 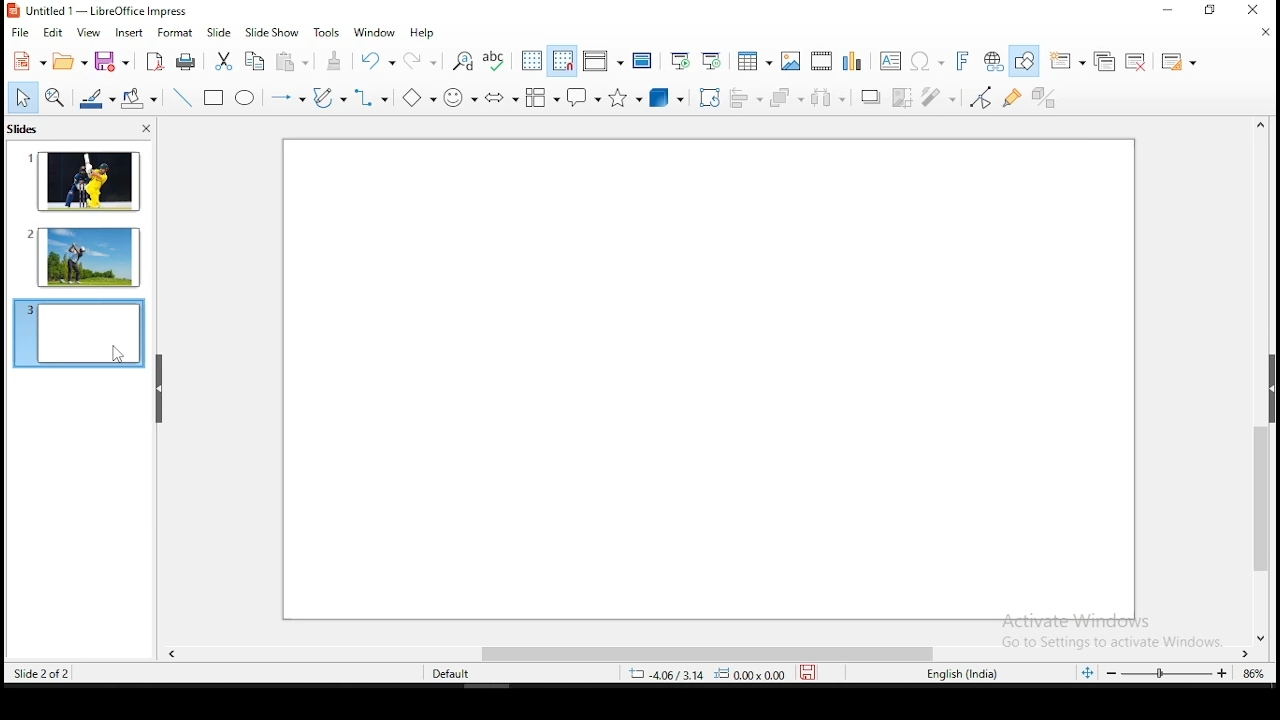 I want to click on scroll bar, so click(x=1258, y=382).